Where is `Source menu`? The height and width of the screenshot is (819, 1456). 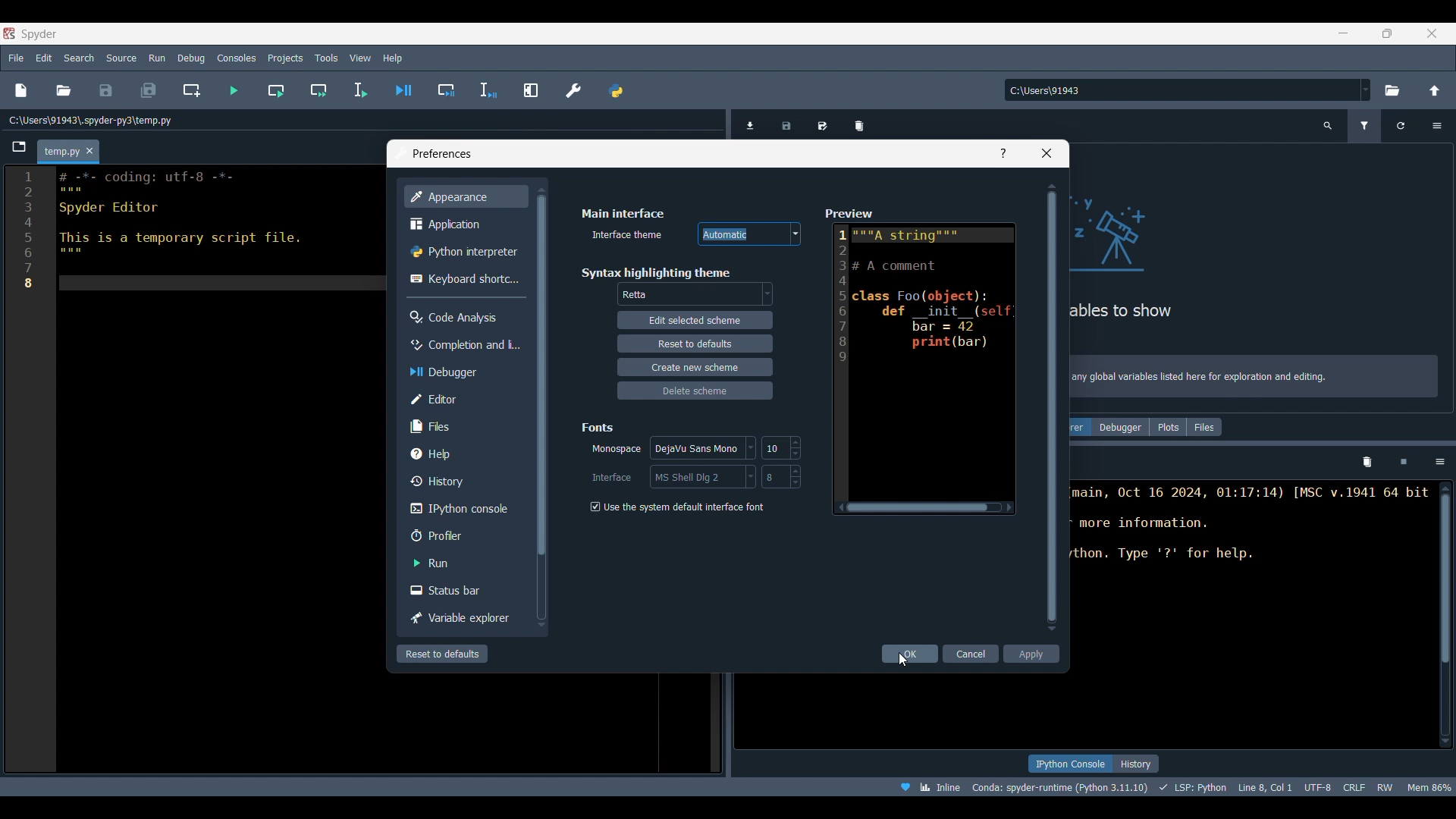 Source menu is located at coordinates (122, 57).